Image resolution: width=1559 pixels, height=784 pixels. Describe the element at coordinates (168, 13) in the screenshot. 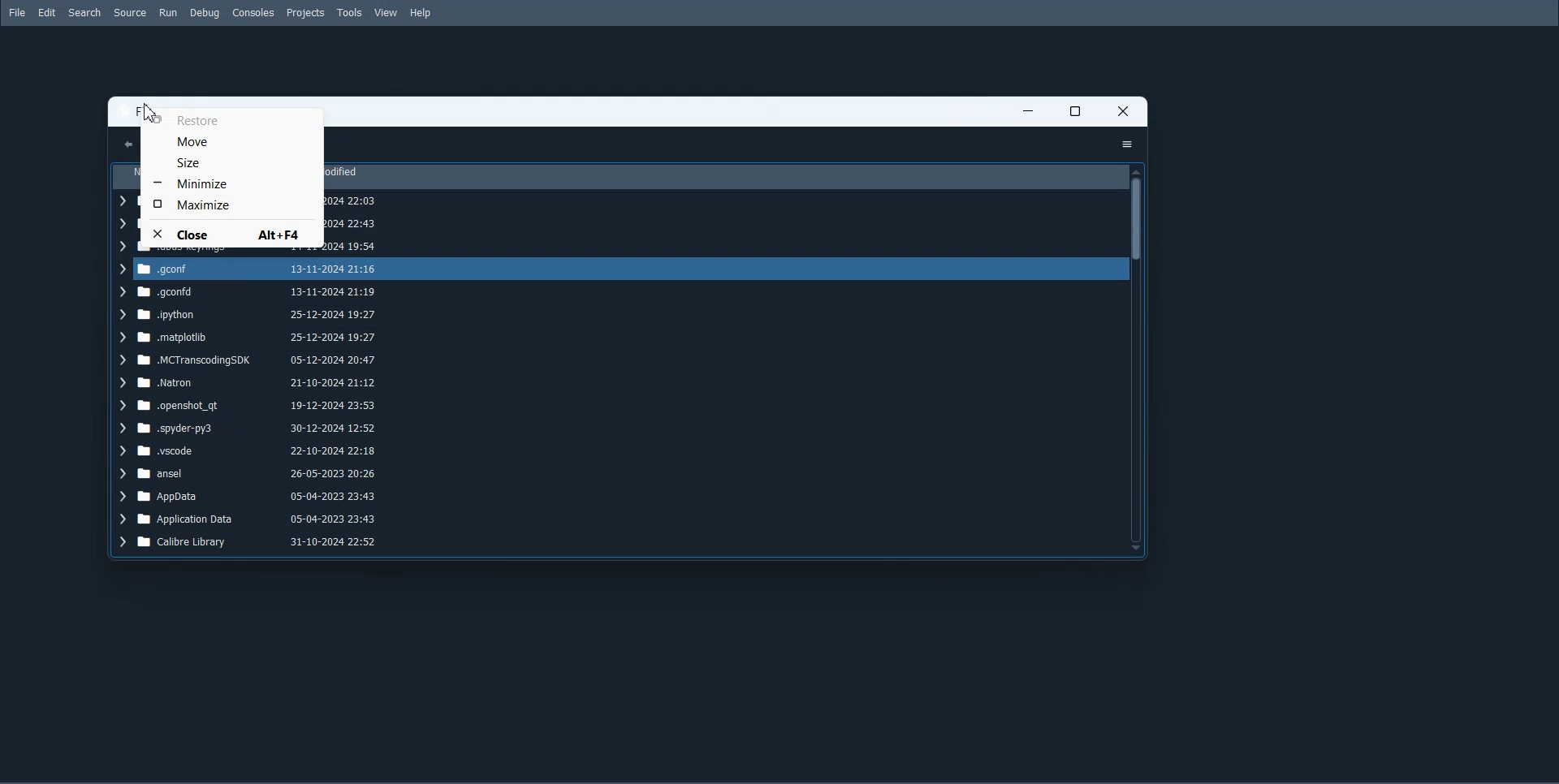

I see `Run` at that location.